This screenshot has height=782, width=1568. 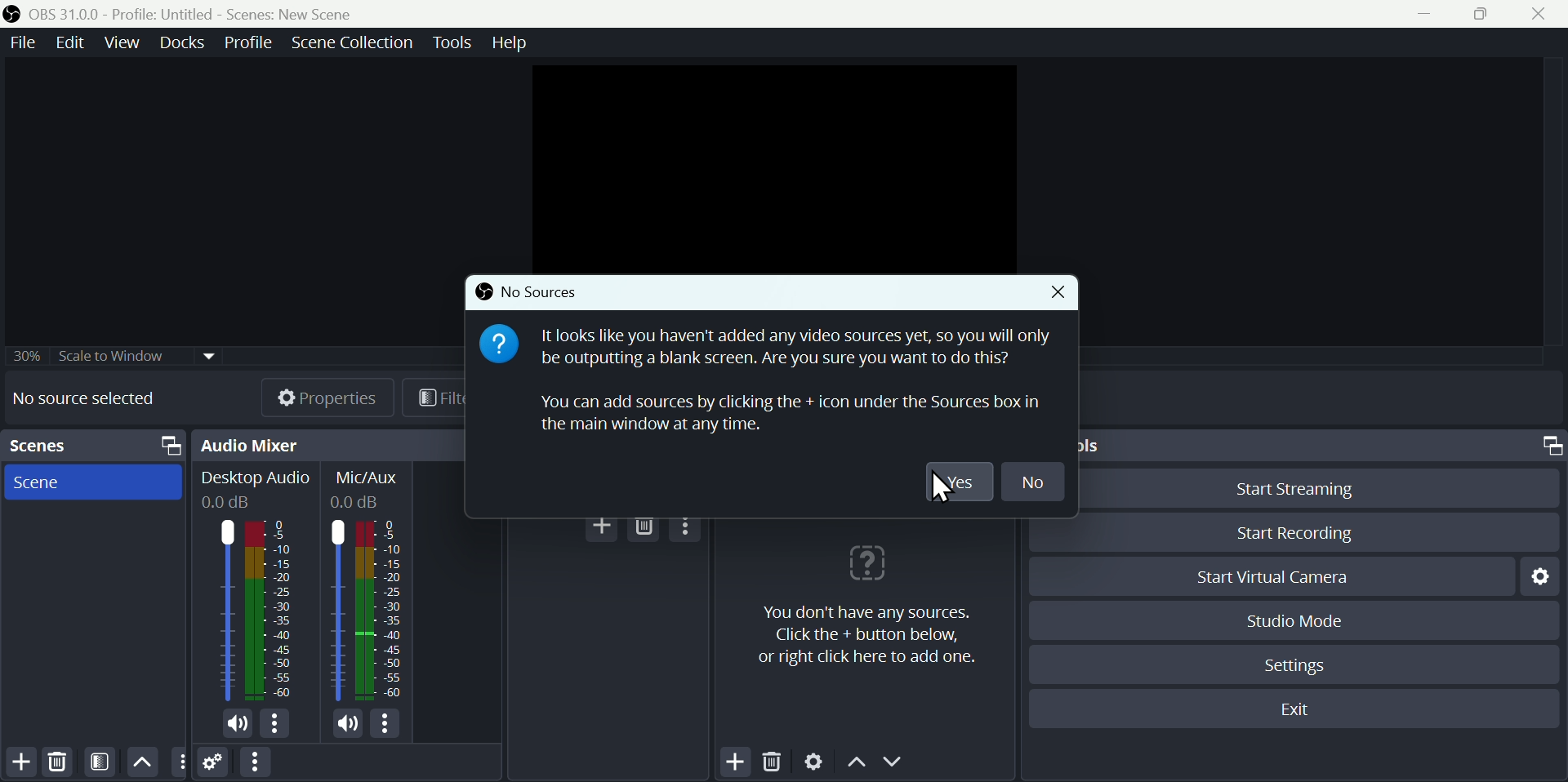 I want to click on Docks, so click(x=181, y=42).